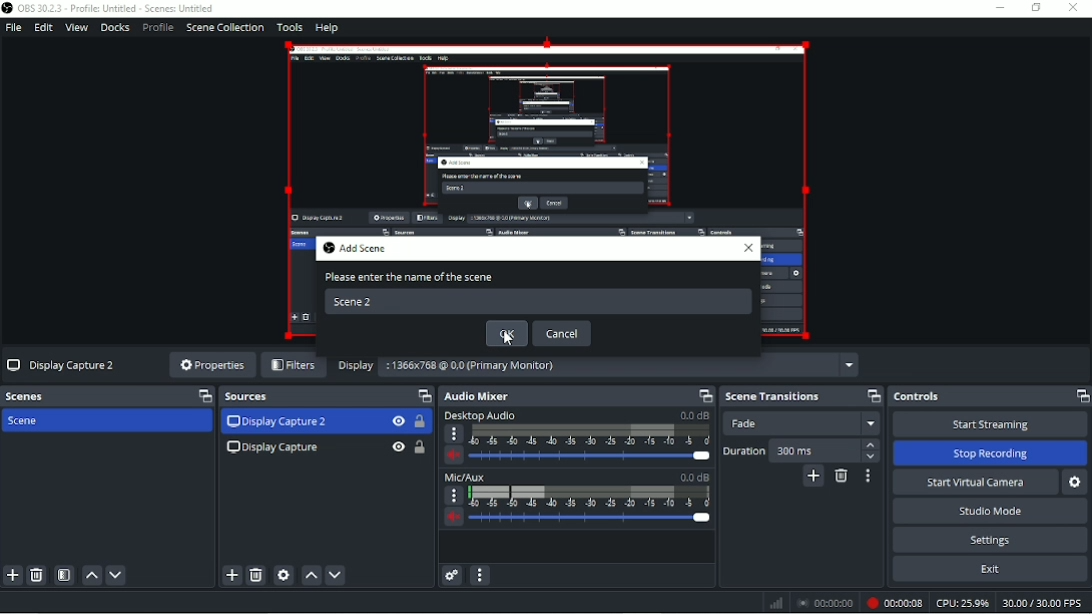 Image resolution: width=1092 pixels, height=614 pixels. I want to click on Scale, so click(592, 435).